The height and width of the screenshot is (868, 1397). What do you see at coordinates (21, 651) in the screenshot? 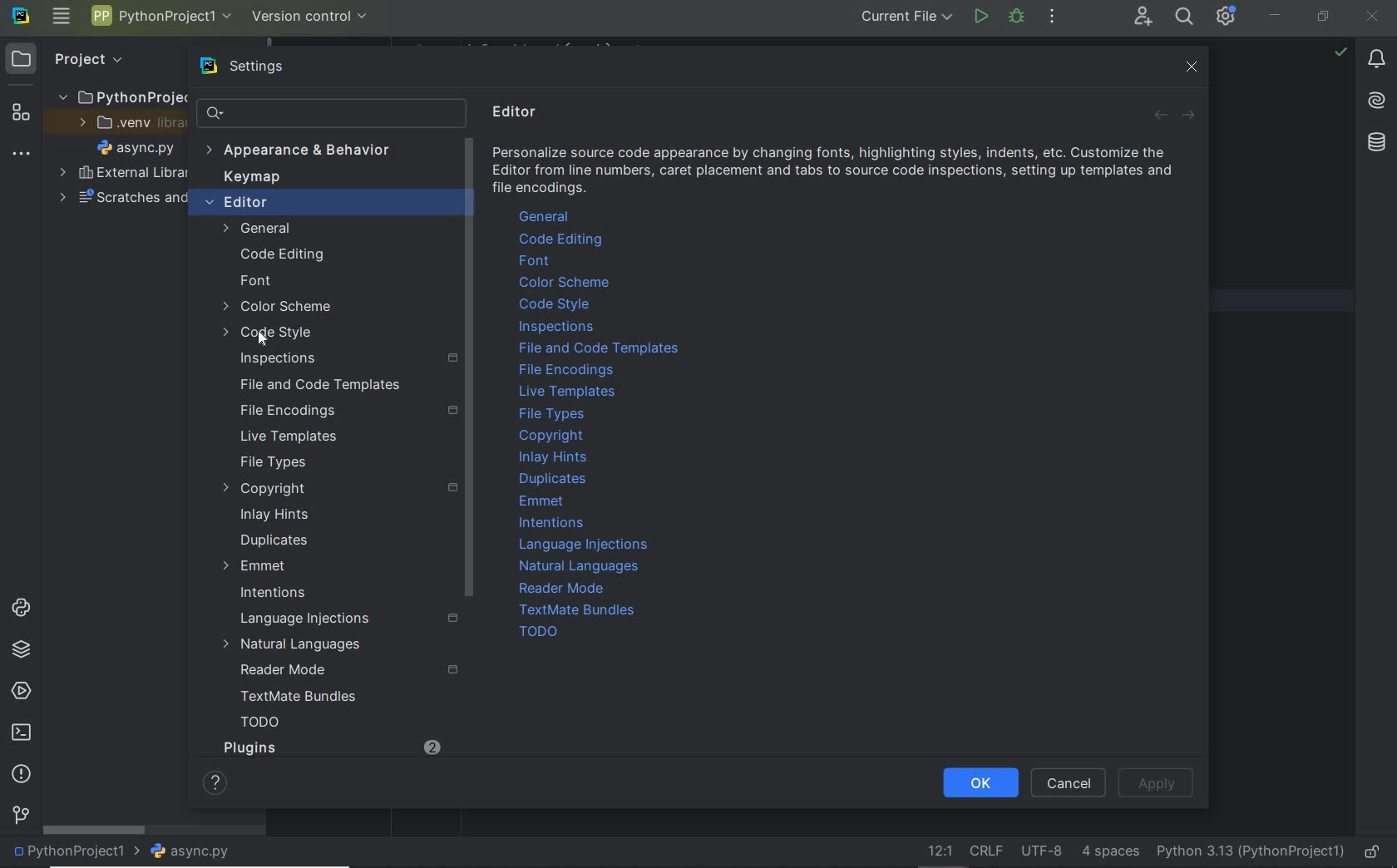
I see `python packages` at bounding box center [21, 651].